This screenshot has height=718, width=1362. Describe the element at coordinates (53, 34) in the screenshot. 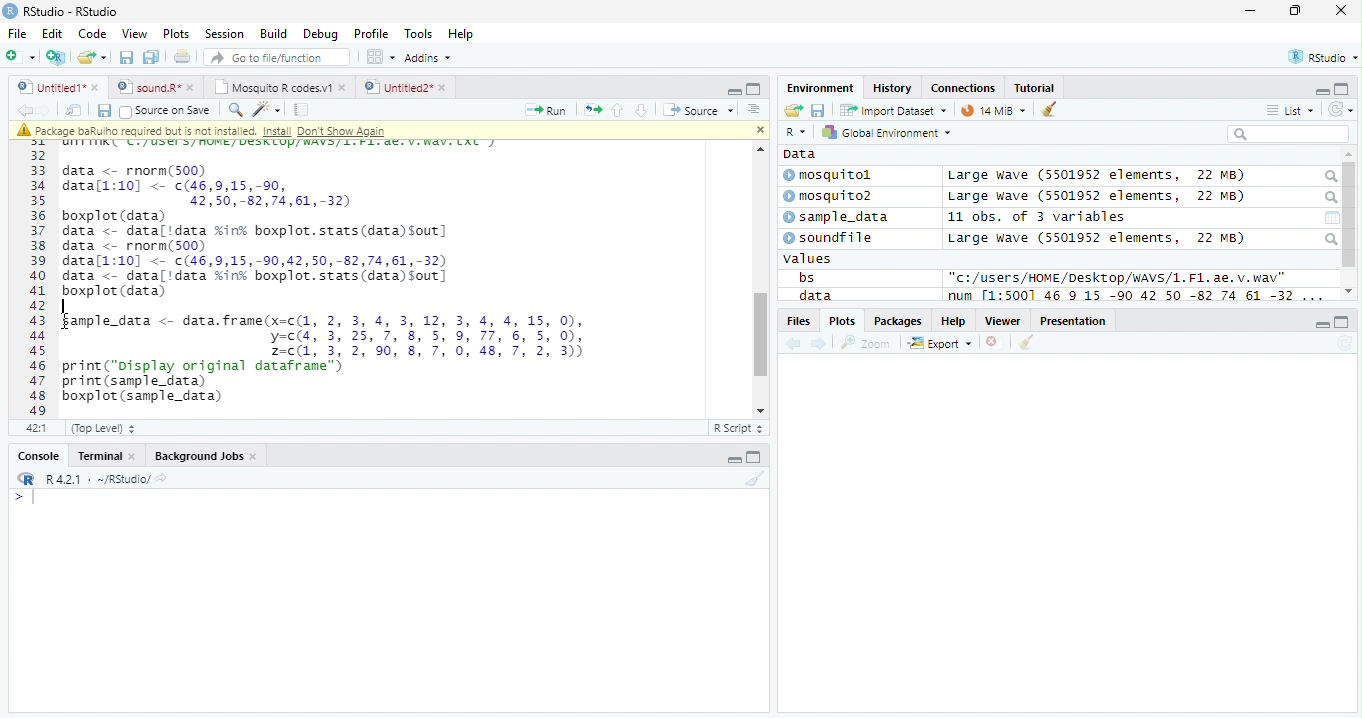

I see `Edit` at that location.